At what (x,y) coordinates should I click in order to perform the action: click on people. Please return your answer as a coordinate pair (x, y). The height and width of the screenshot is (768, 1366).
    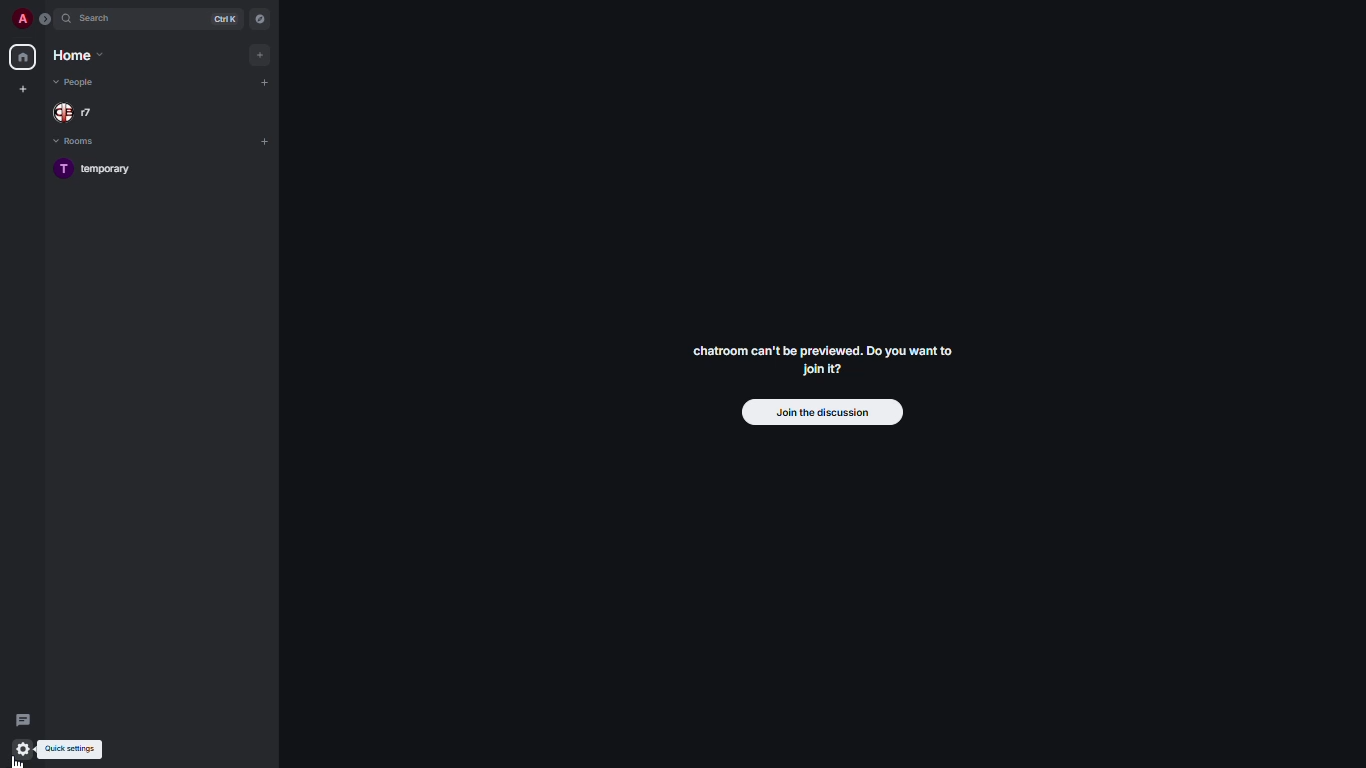
    Looking at the image, I should click on (83, 83).